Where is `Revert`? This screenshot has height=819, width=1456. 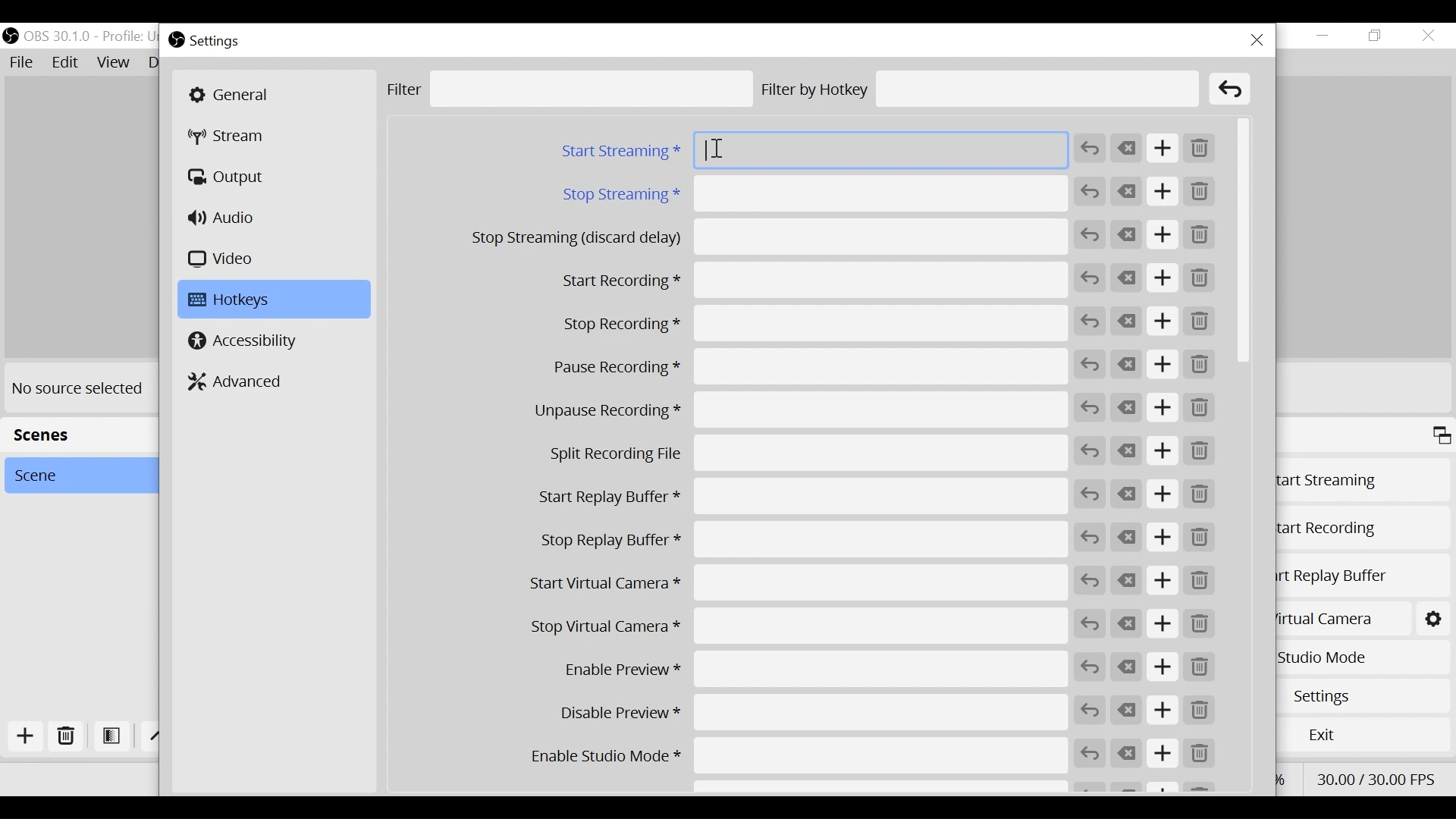 Revert is located at coordinates (1090, 235).